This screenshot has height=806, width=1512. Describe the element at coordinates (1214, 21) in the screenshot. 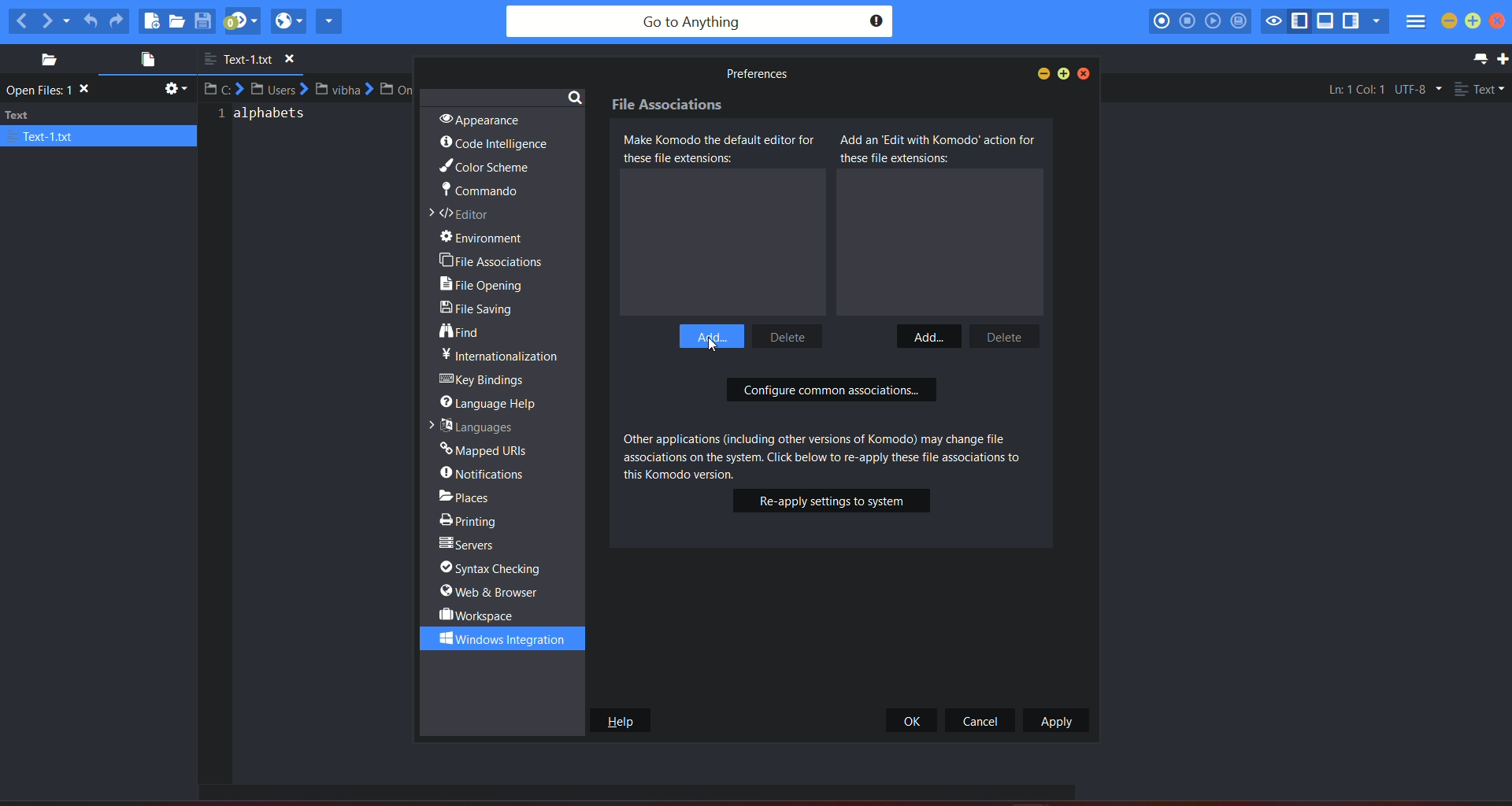

I see `play last macro` at that location.